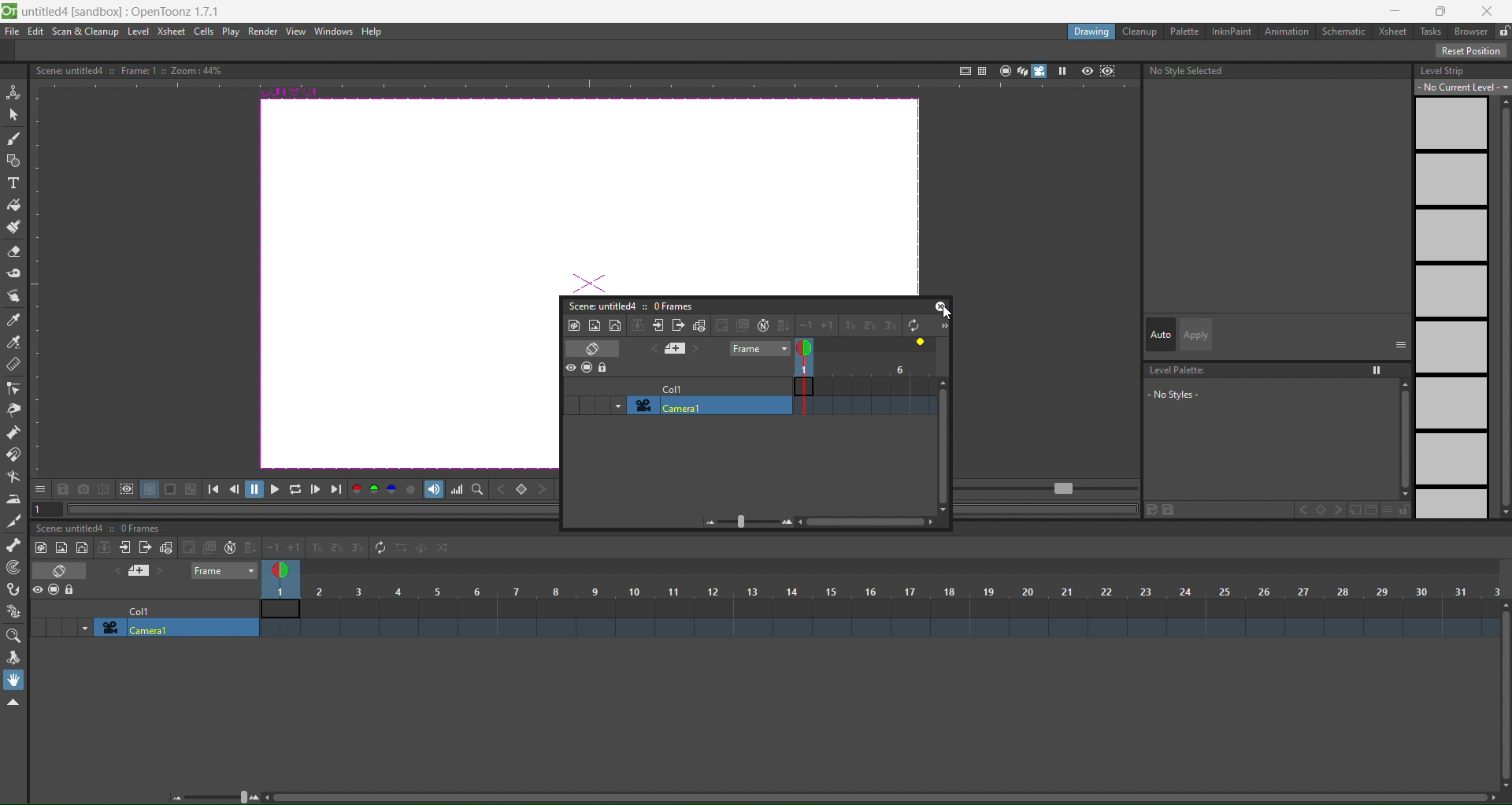 This screenshot has width=1512, height=805. What do you see at coordinates (615, 325) in the screenshot?
I see `new vector level` at bounding box center [615, 325].